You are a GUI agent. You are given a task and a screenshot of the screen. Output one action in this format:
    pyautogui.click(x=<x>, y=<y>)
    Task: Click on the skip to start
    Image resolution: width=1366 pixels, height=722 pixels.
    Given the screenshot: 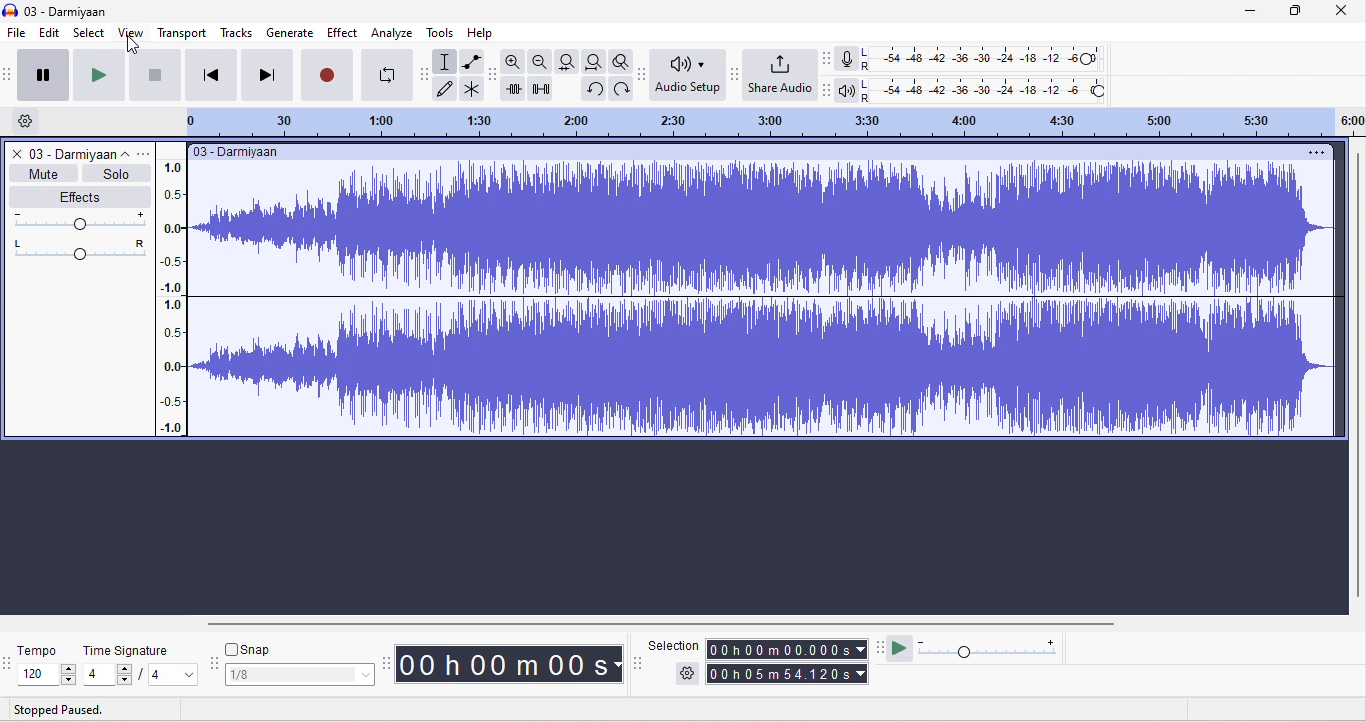 What is the action you would take?
    pyautogui.click(x=212, y=74)
    